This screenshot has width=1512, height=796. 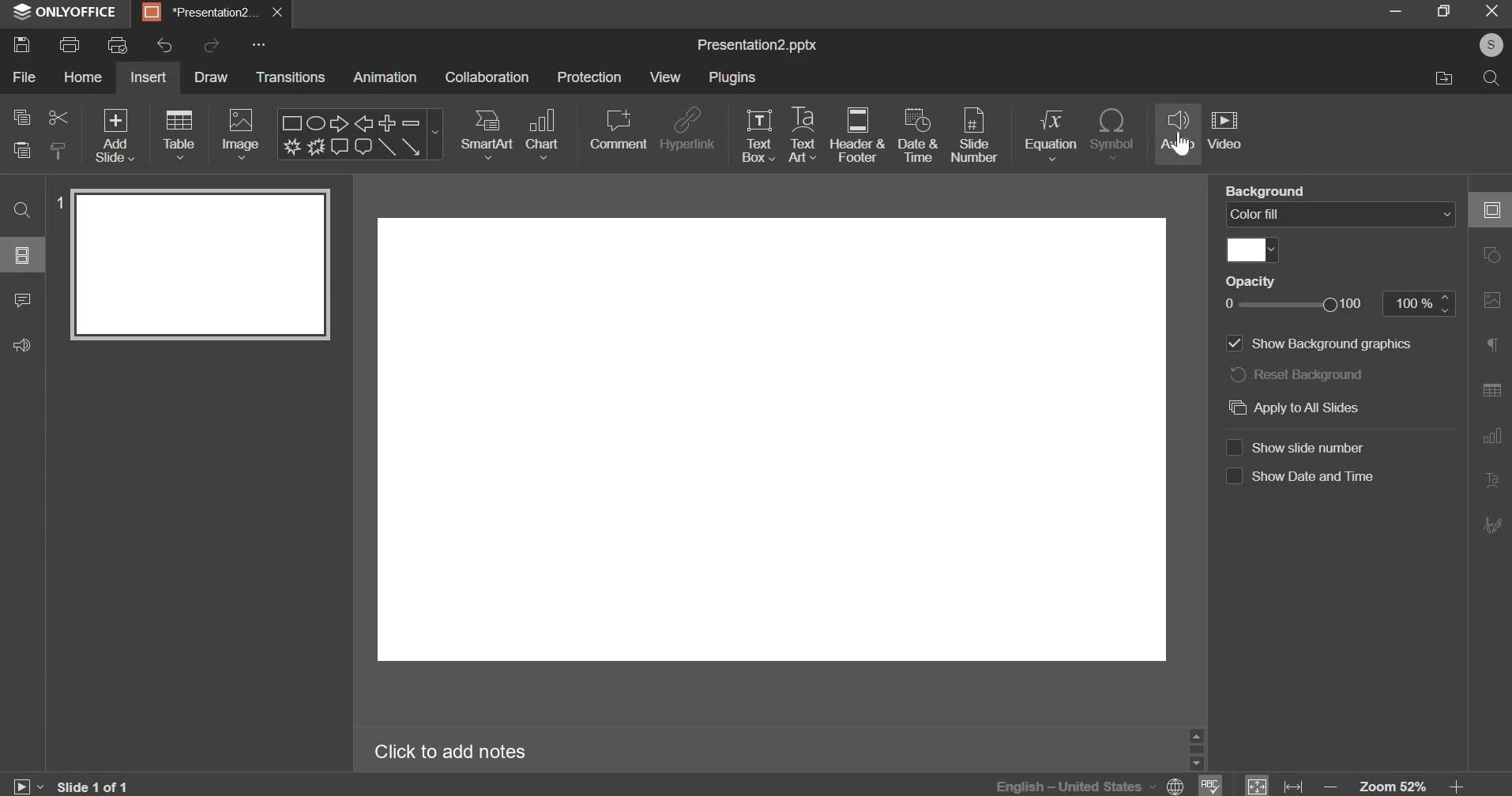 What do you see at coordinates (199, 14) in the screenshot?
I see `Presentation2` at bounding box center [199, 14].